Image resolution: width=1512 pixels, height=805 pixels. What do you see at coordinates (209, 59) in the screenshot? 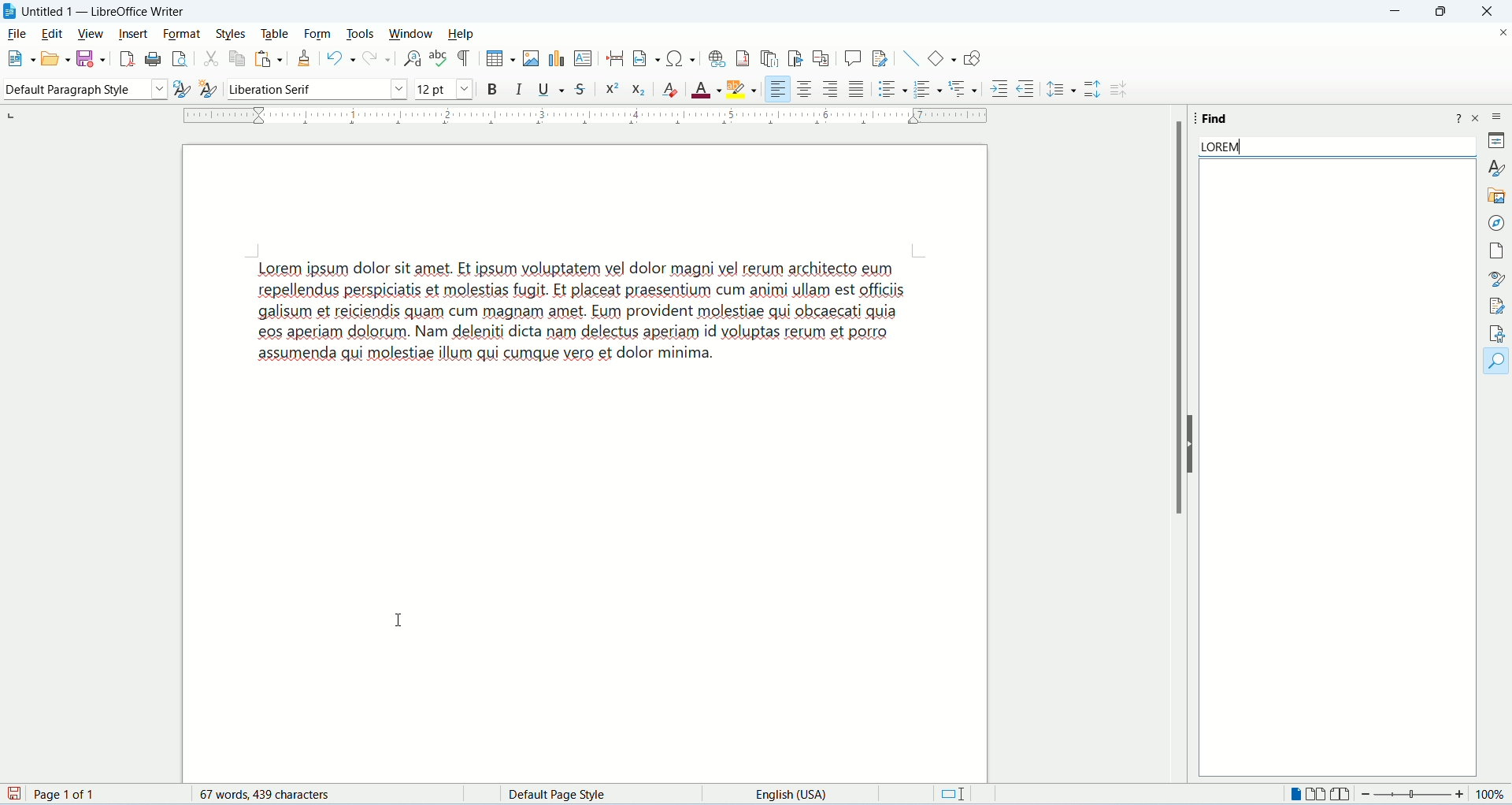
I see `cut` at bounding box center [209, 59].